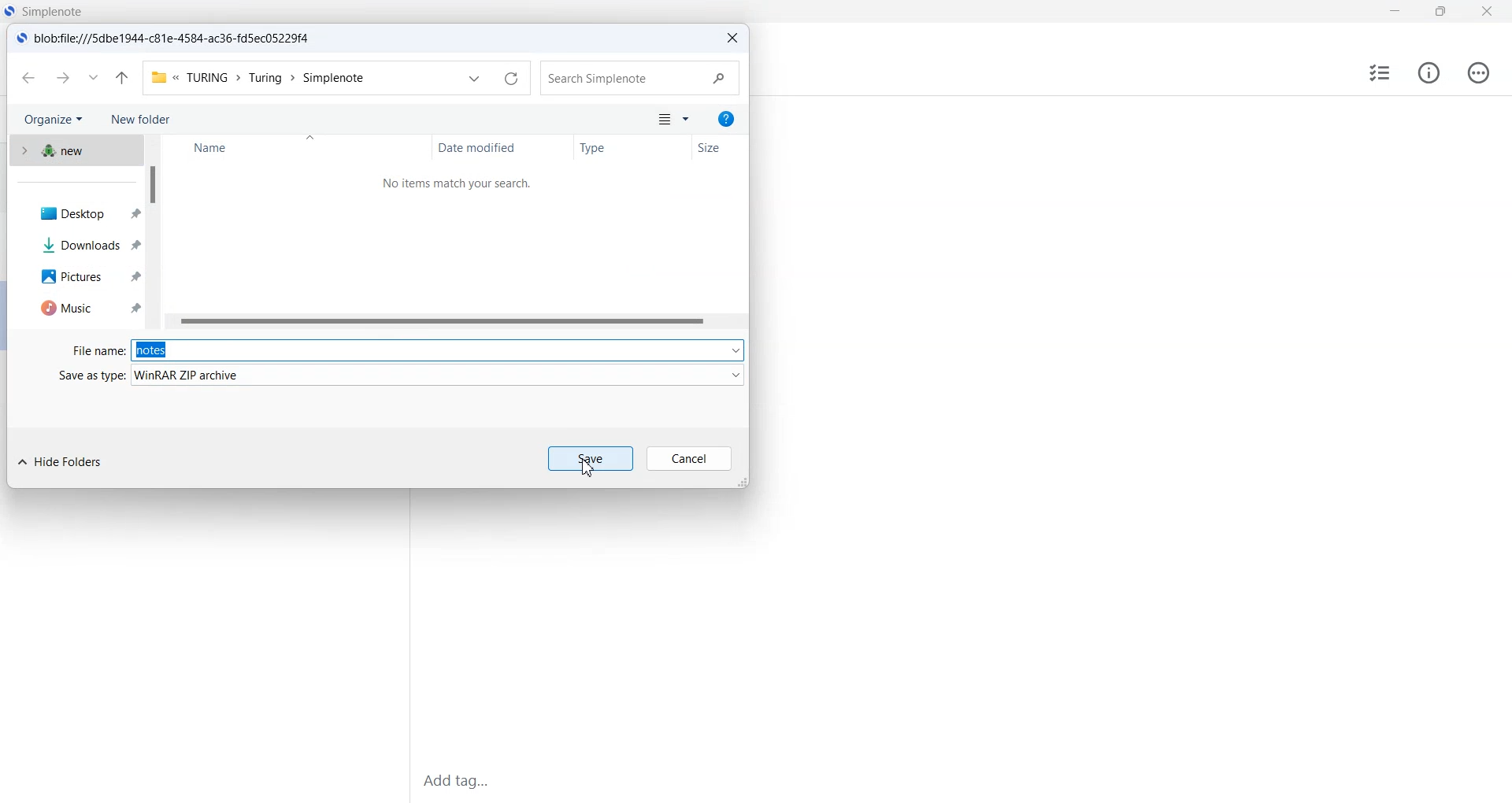 The height and width of the screenshot is (803, 1512). Describe the element at coordinates (65, 463) in the screenshot. I see `Hide folders` at that location.